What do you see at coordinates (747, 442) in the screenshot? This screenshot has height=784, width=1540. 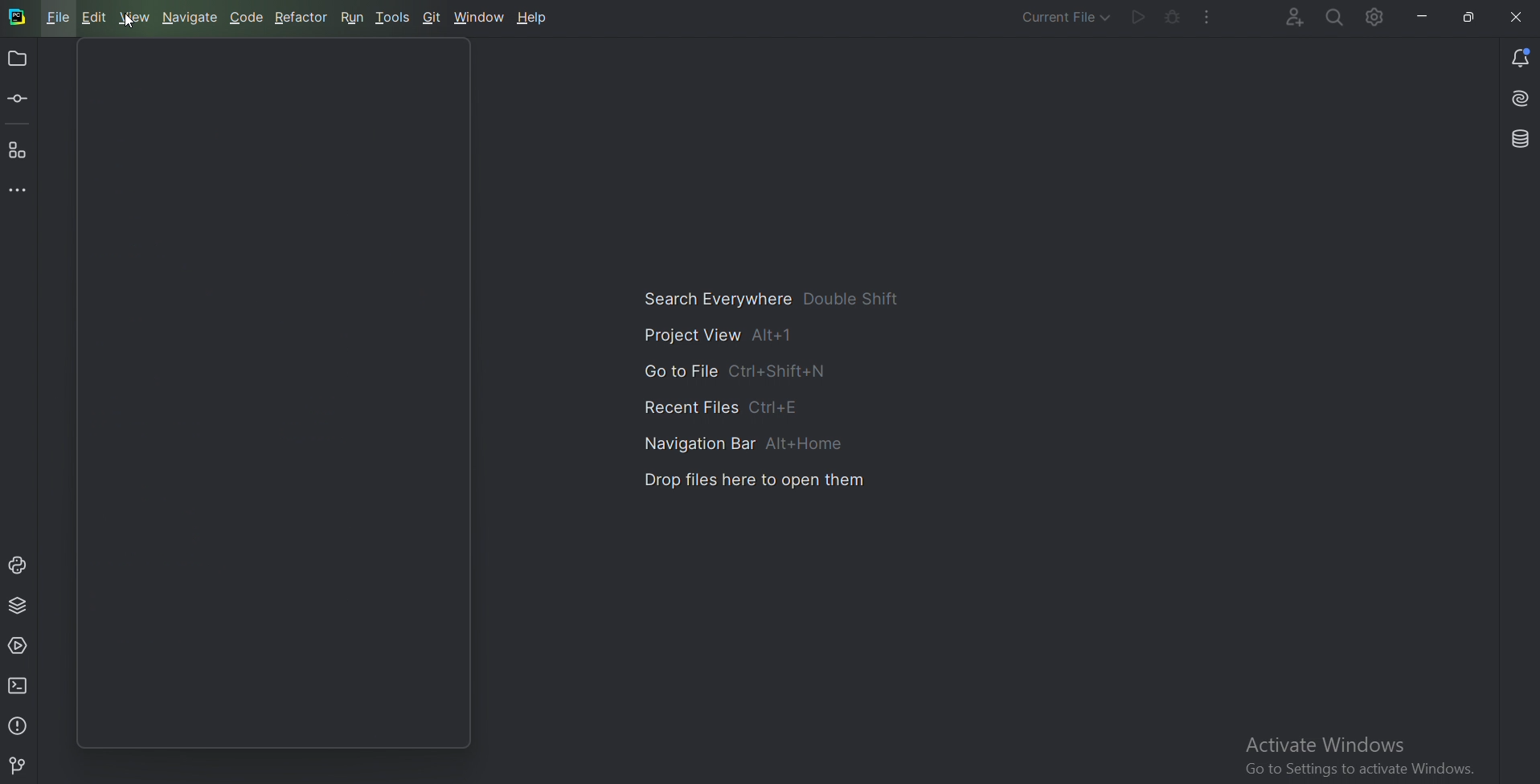 I see `Navigation bar` at bounding box center [747, 442].